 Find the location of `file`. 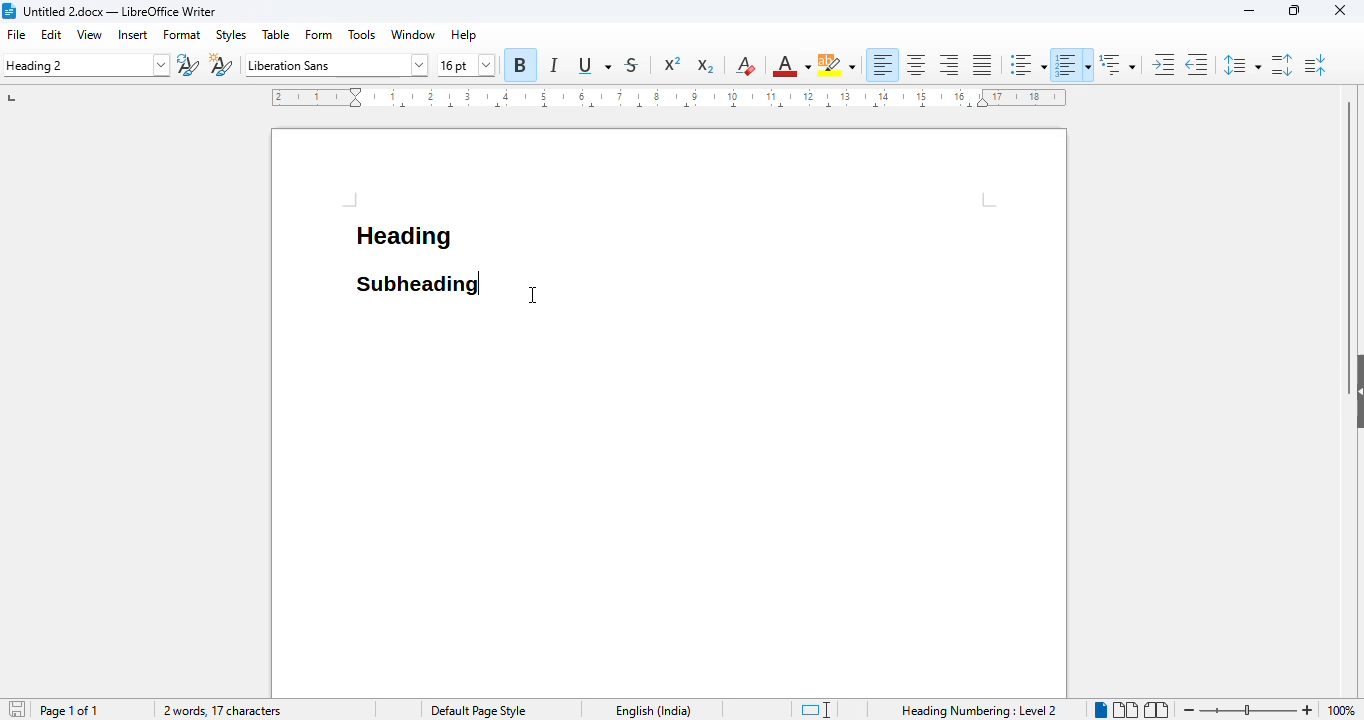

file is located at coordinates (15, 35).